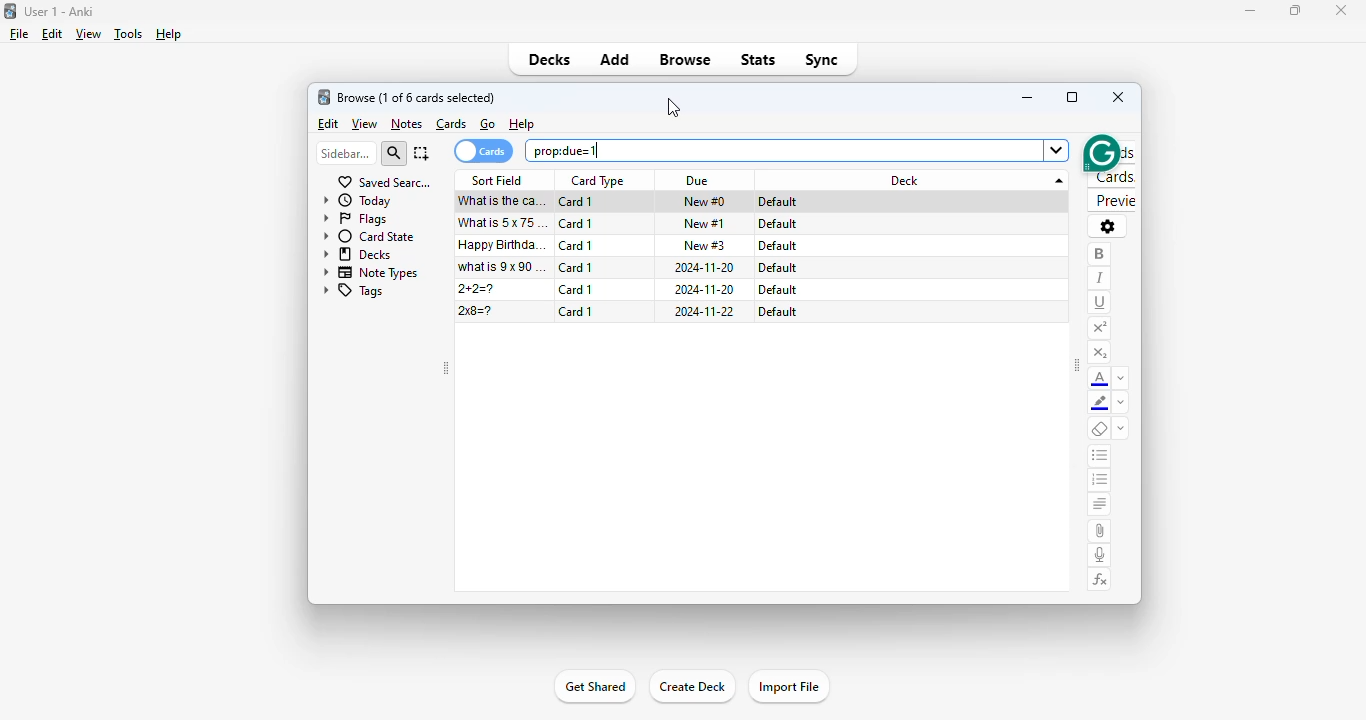 The height and width of the screenshot is (720, 1366). Describe the element at coordinates (788, 687) in the screenshot. I see `import file` at that location.